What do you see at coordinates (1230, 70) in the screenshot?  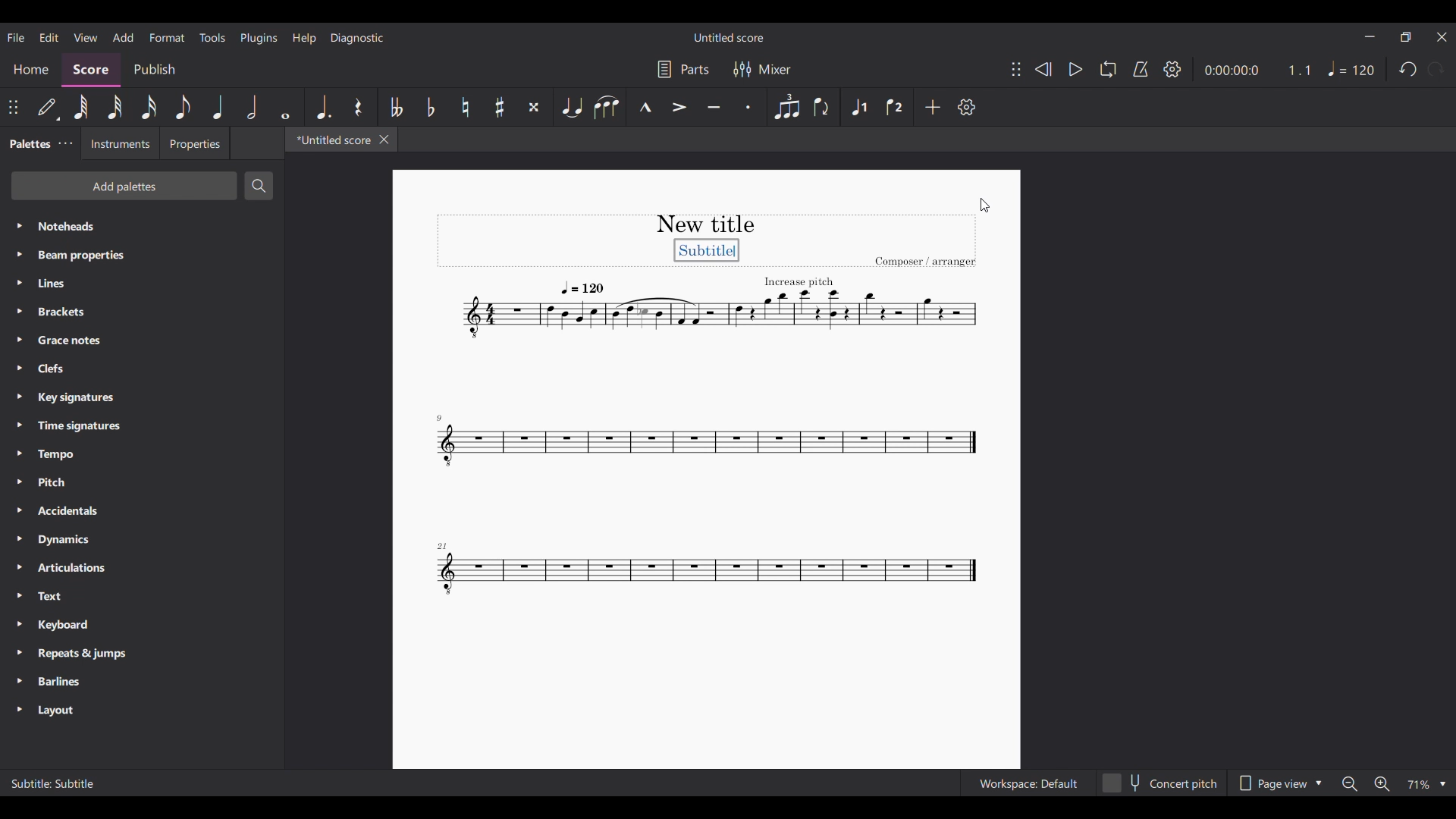 I see `Current duration` at bounding box center [1230, 70].